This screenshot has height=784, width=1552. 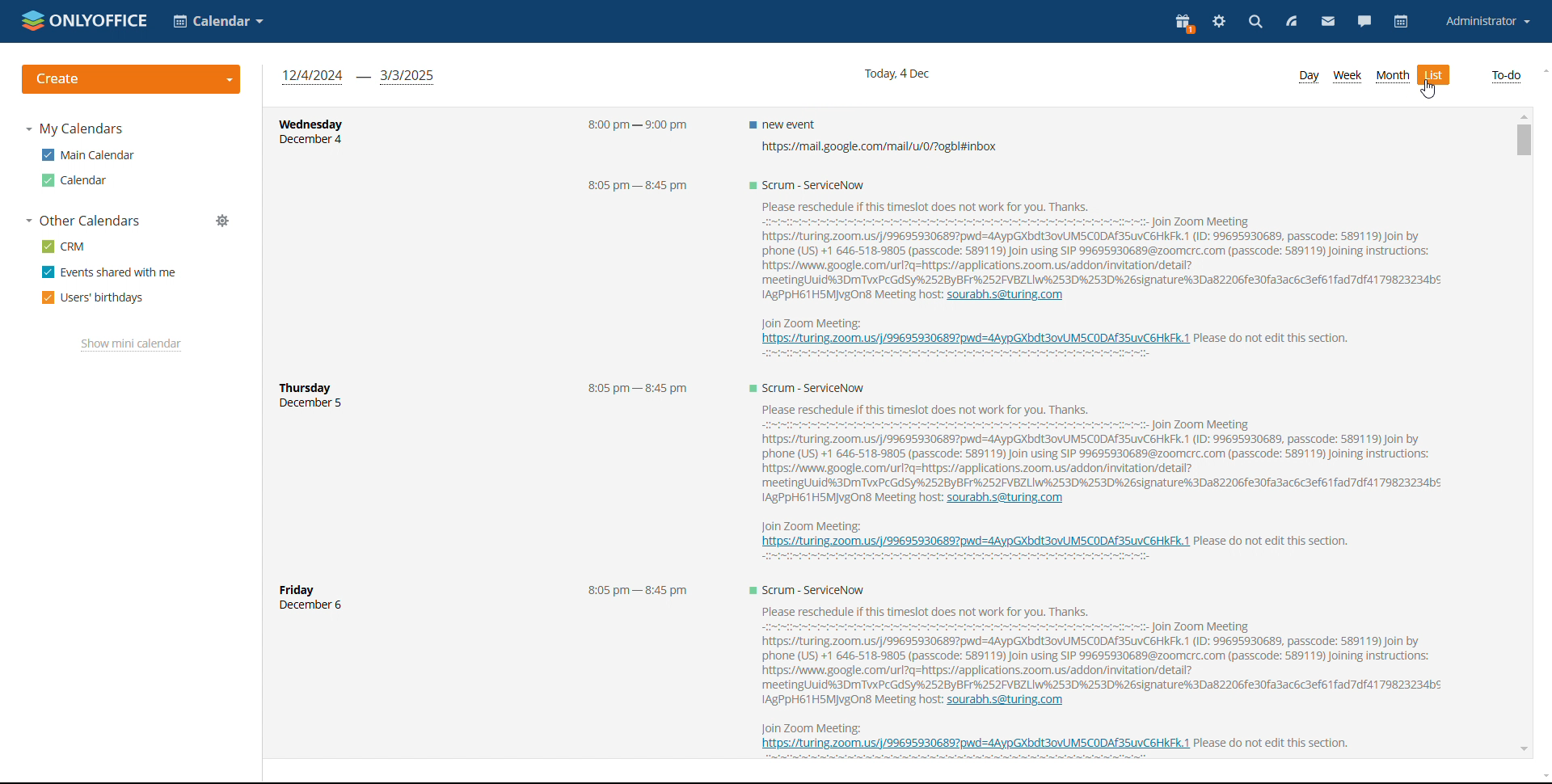 I want to click on bttps:/turing.zoom.us/)/99695930689?pwd=4AypGXbdt3ovUMSCODAF3SUVCEHKFK,, so click(x=970, y=339).